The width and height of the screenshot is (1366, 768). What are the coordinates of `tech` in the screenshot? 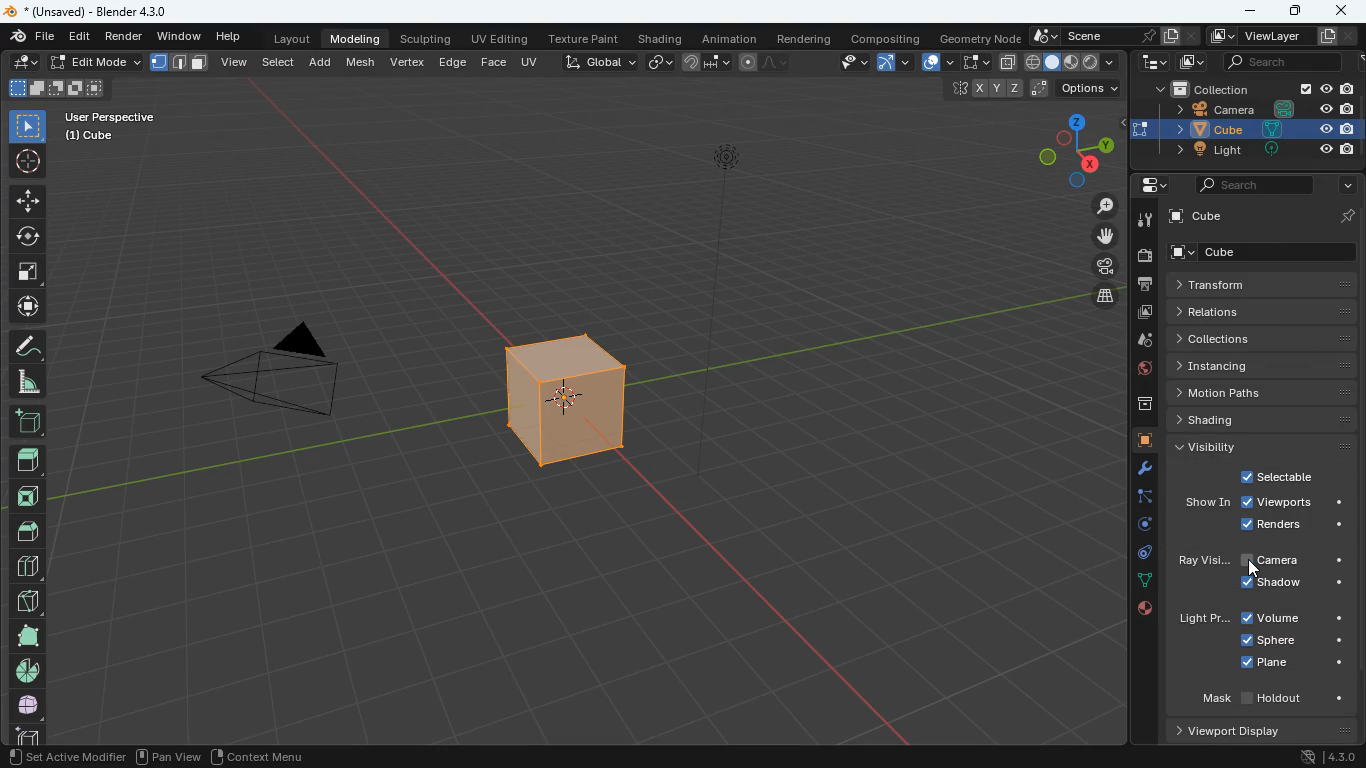 It's located at (1153, 62).